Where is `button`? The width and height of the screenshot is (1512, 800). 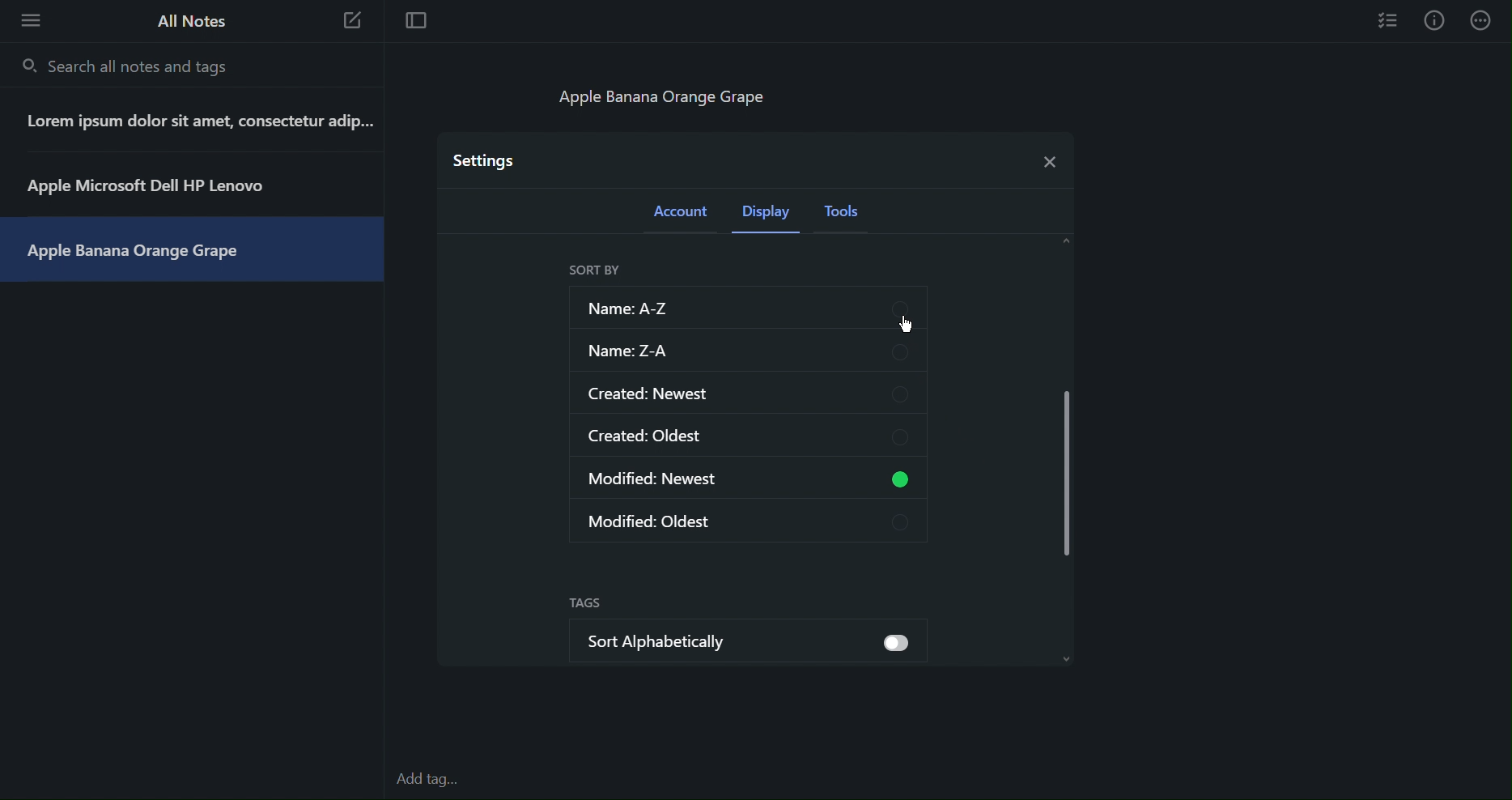 button is located at coordinates (909, 646).